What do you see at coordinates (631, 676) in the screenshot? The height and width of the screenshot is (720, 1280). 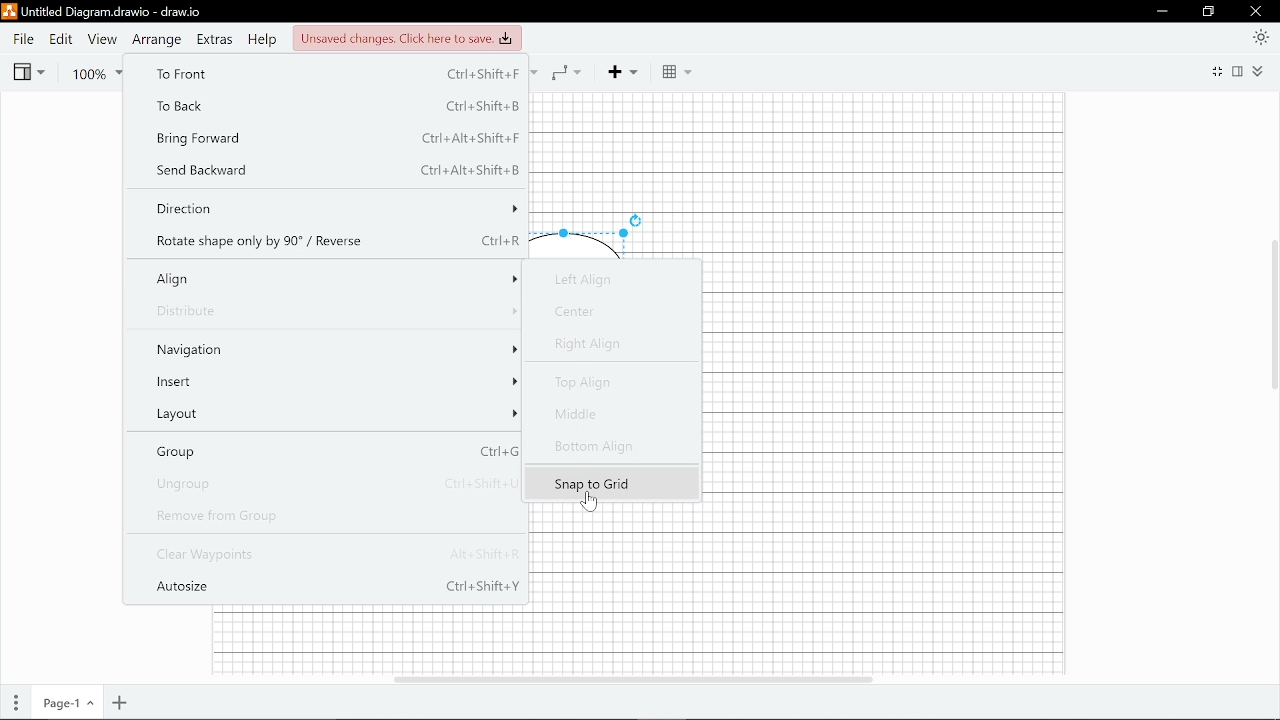 I see `Horizontal scrollbar` at bounding box center [631, 676].